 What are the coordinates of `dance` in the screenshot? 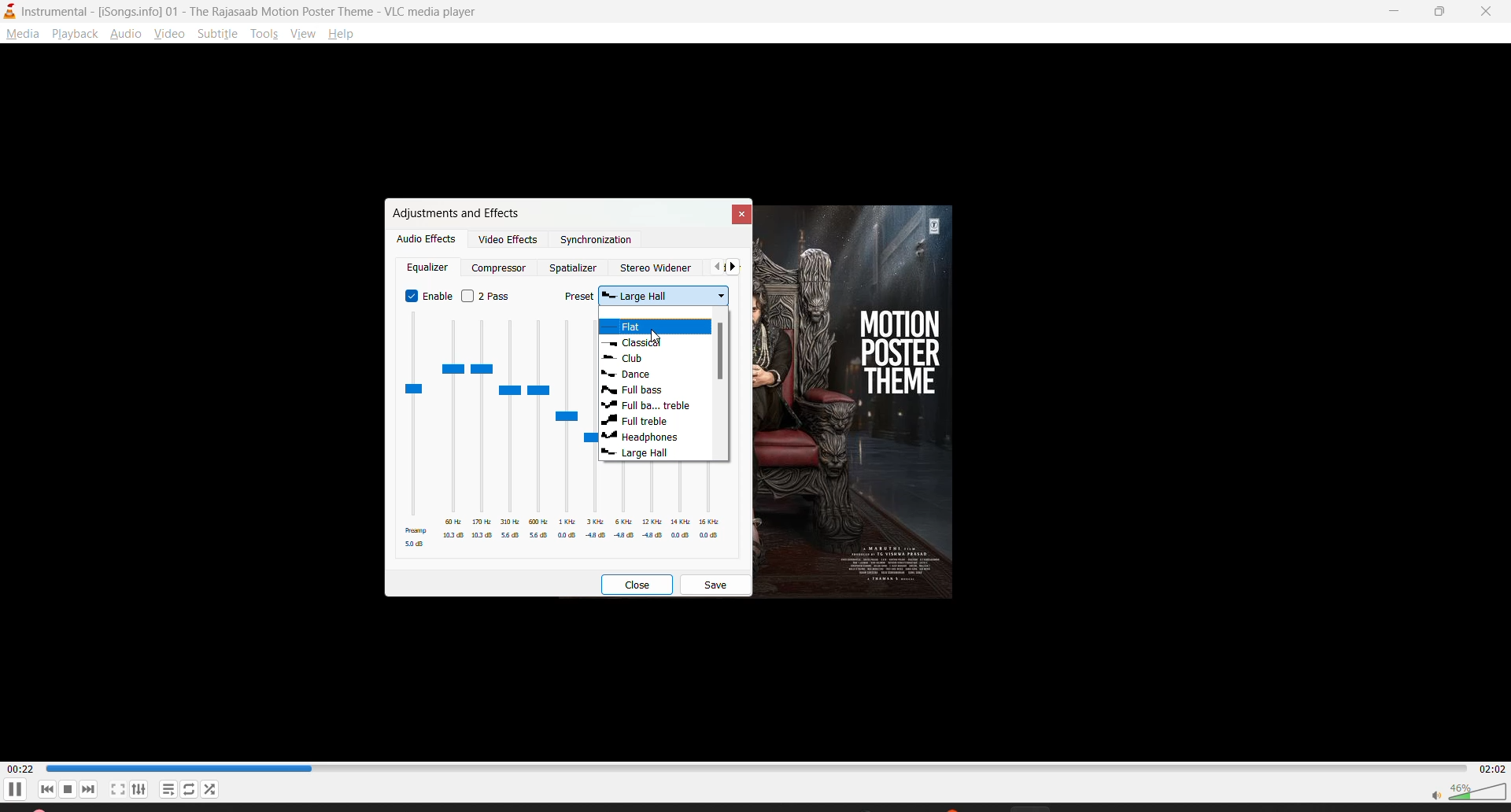 It's located at (633, 375).